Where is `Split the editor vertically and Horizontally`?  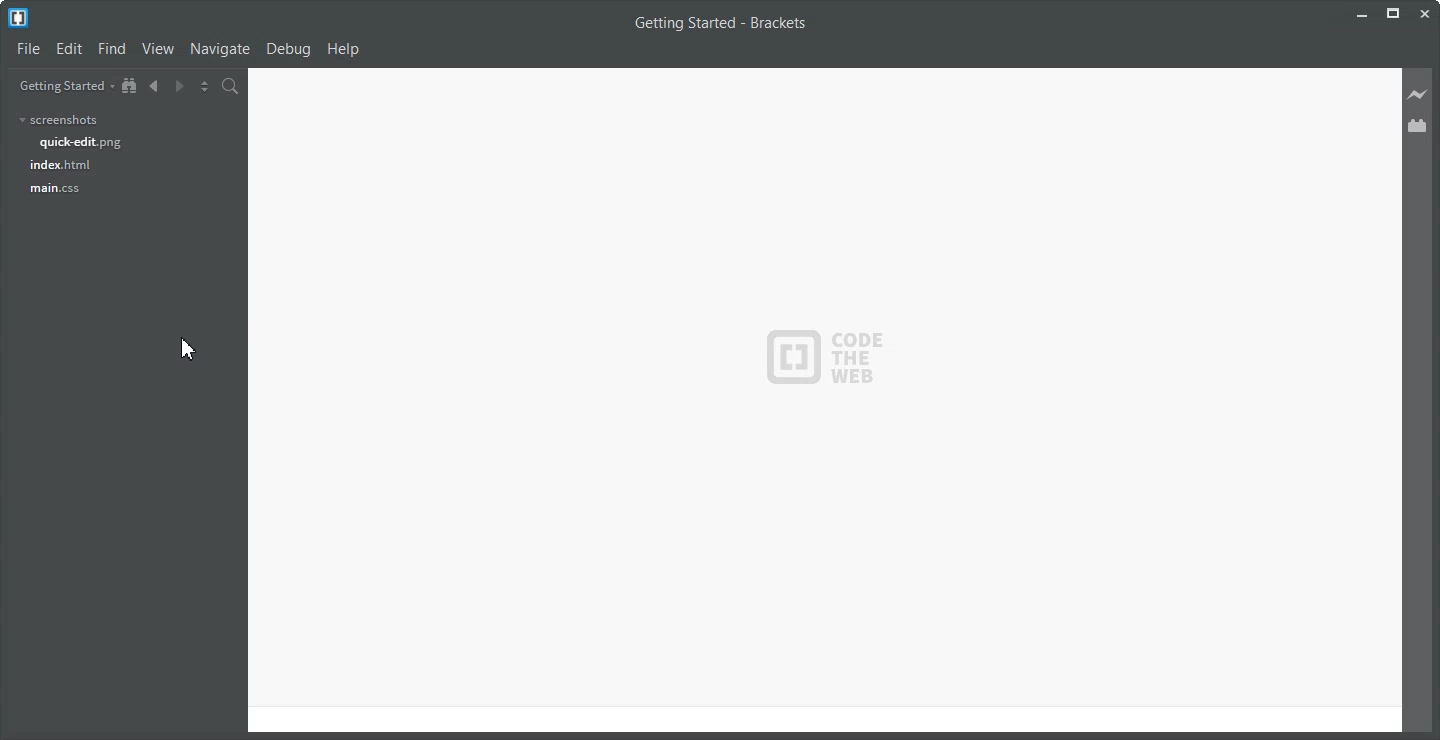 Split the editor vertically and Horizontally is located at coordinates (205, 85).